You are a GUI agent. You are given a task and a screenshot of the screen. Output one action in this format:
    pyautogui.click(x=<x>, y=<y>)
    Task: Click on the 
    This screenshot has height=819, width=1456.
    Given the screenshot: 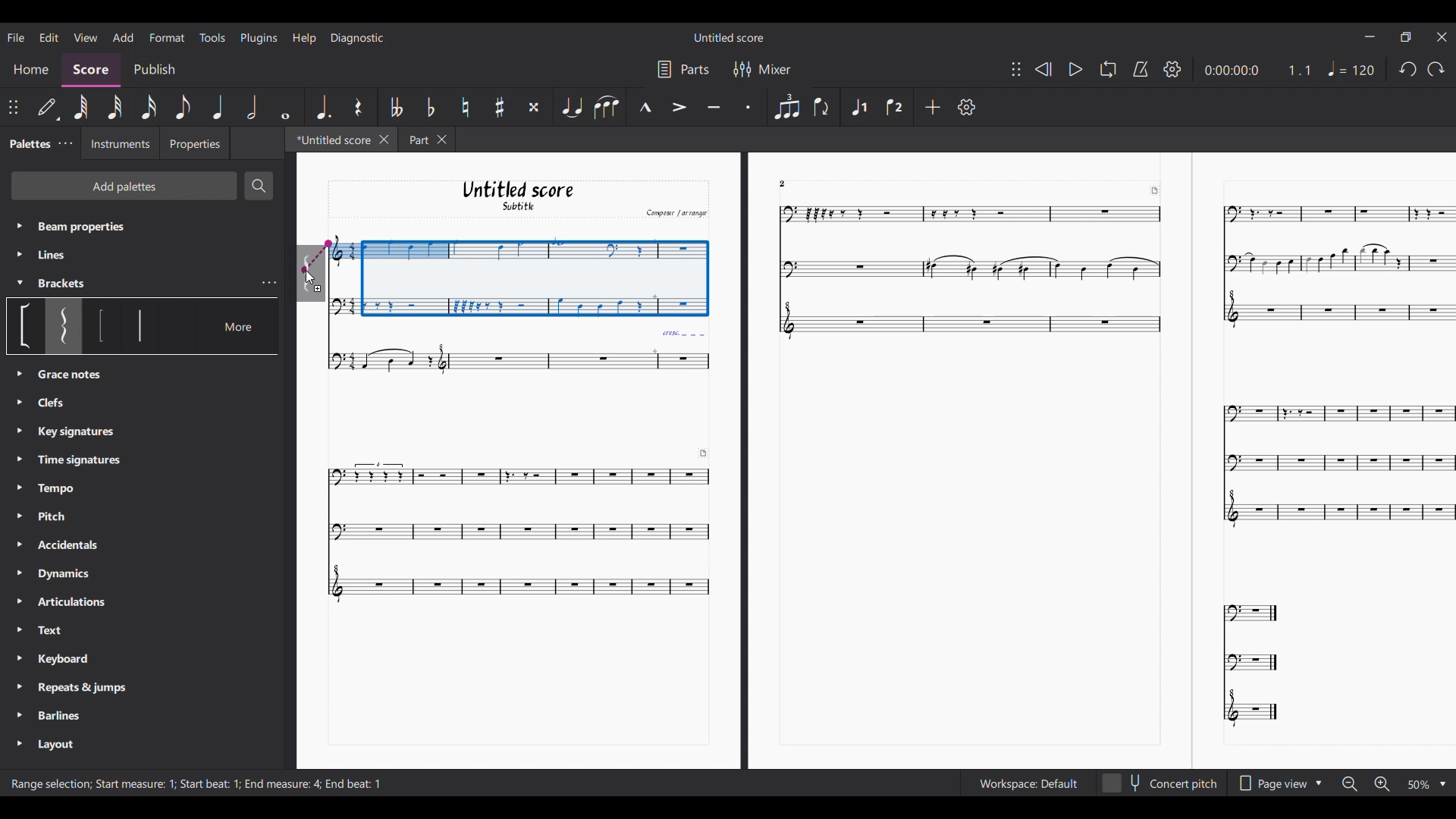 What is the action you would take?
    pyautogui.click(x=20, y=461)
    